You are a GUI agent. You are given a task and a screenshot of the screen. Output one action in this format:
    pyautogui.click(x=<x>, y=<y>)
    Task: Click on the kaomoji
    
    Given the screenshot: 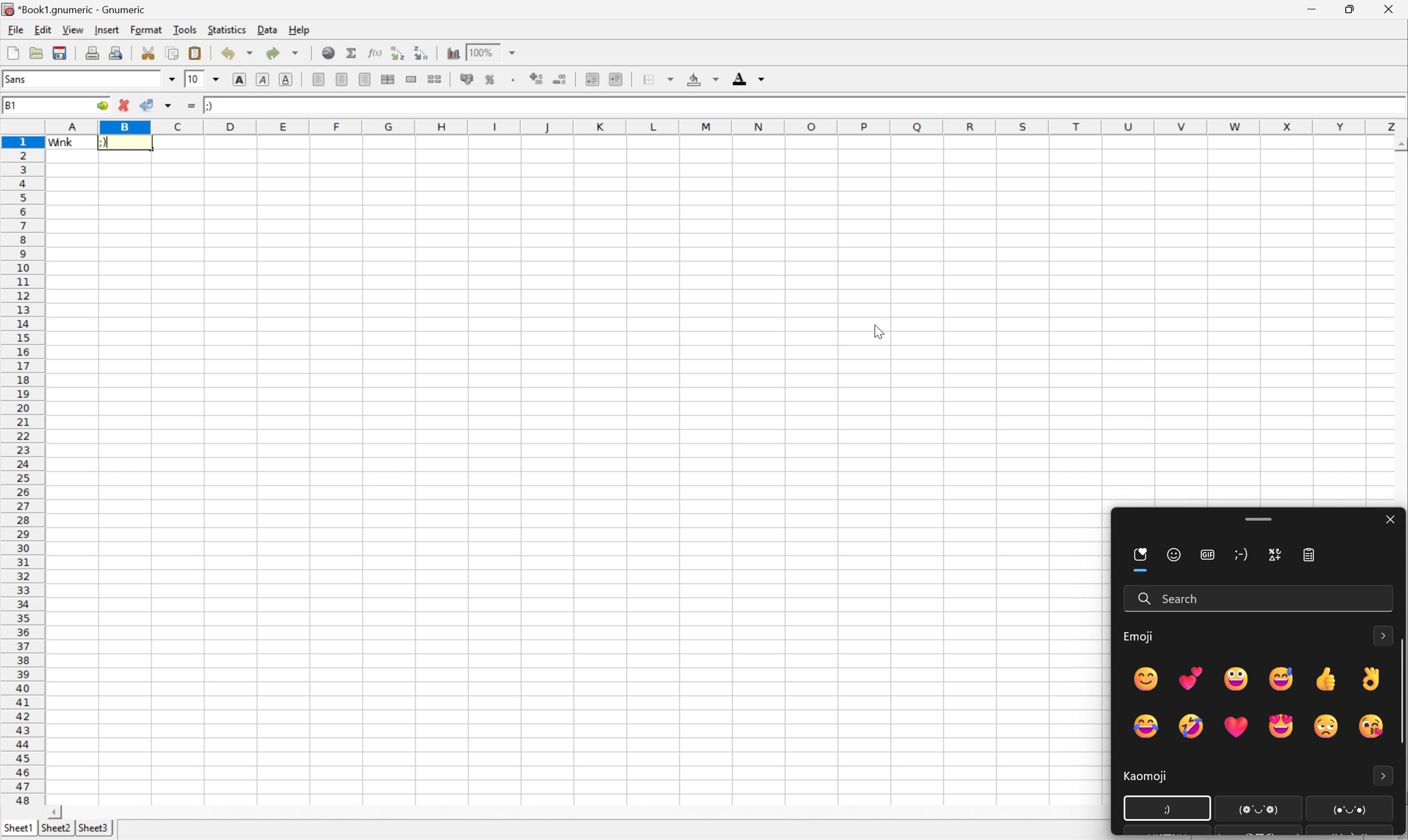 What is the action you would take?
    pyautogui.click(x=207, y=104)
    